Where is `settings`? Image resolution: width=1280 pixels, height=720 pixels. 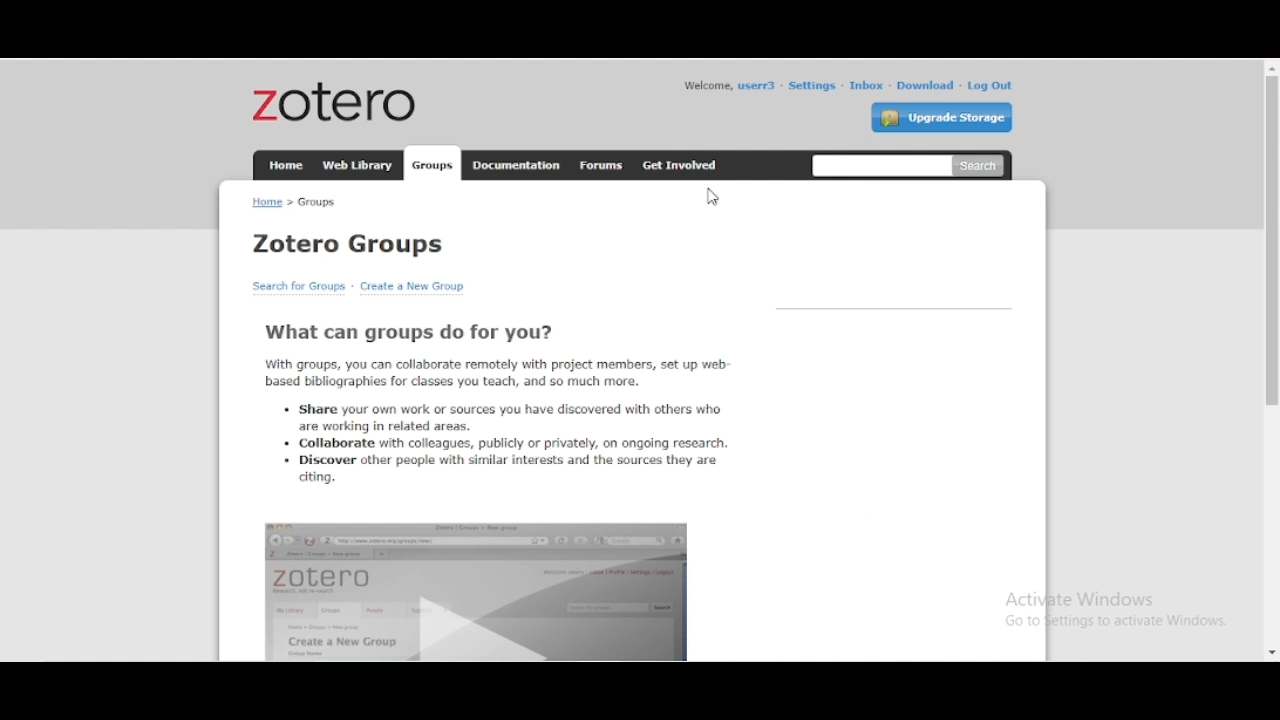 settings is located at coordinates (812, 86).